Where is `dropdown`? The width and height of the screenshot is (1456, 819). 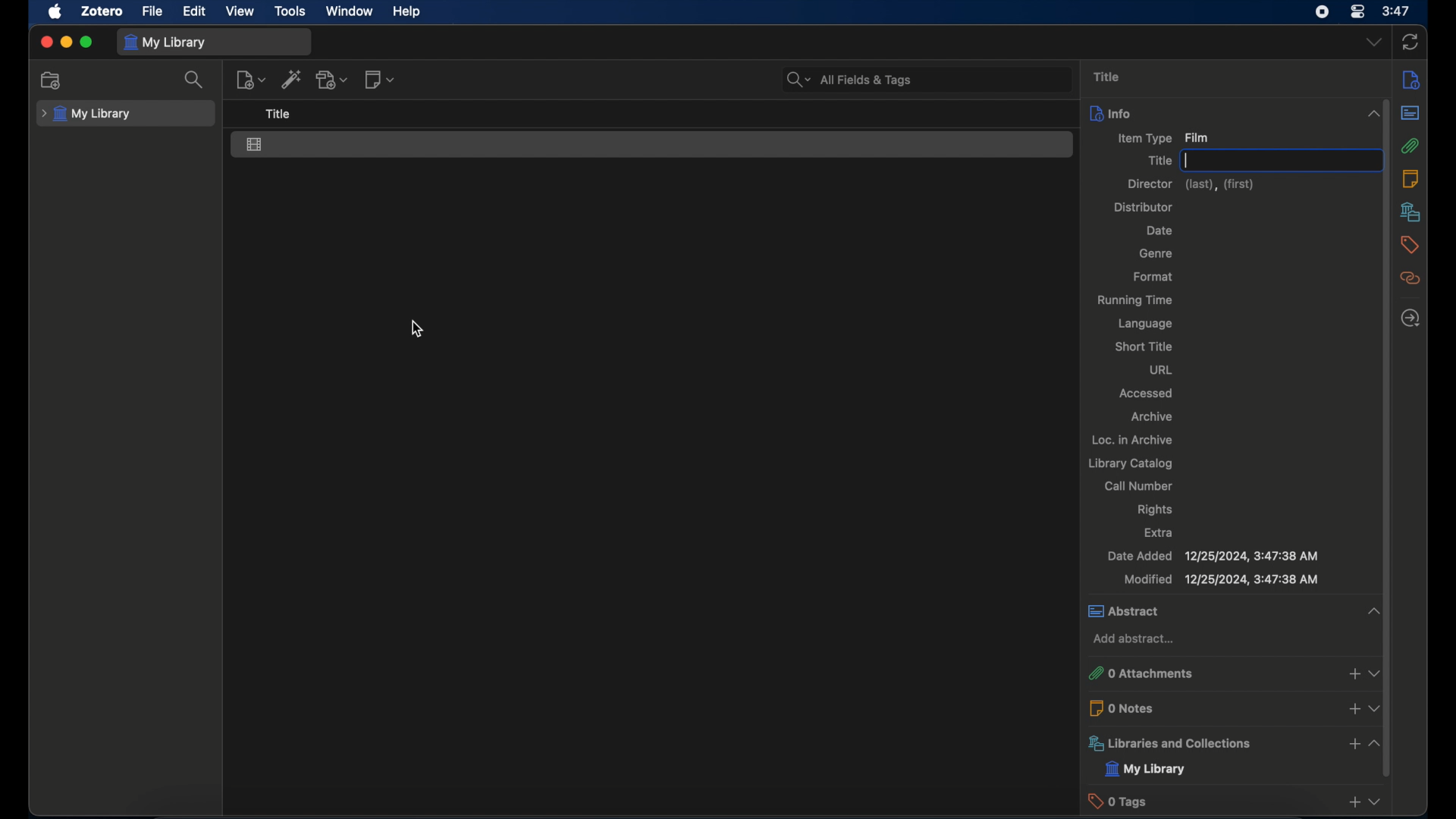 dropdown is located at coordinates (1380, 708).